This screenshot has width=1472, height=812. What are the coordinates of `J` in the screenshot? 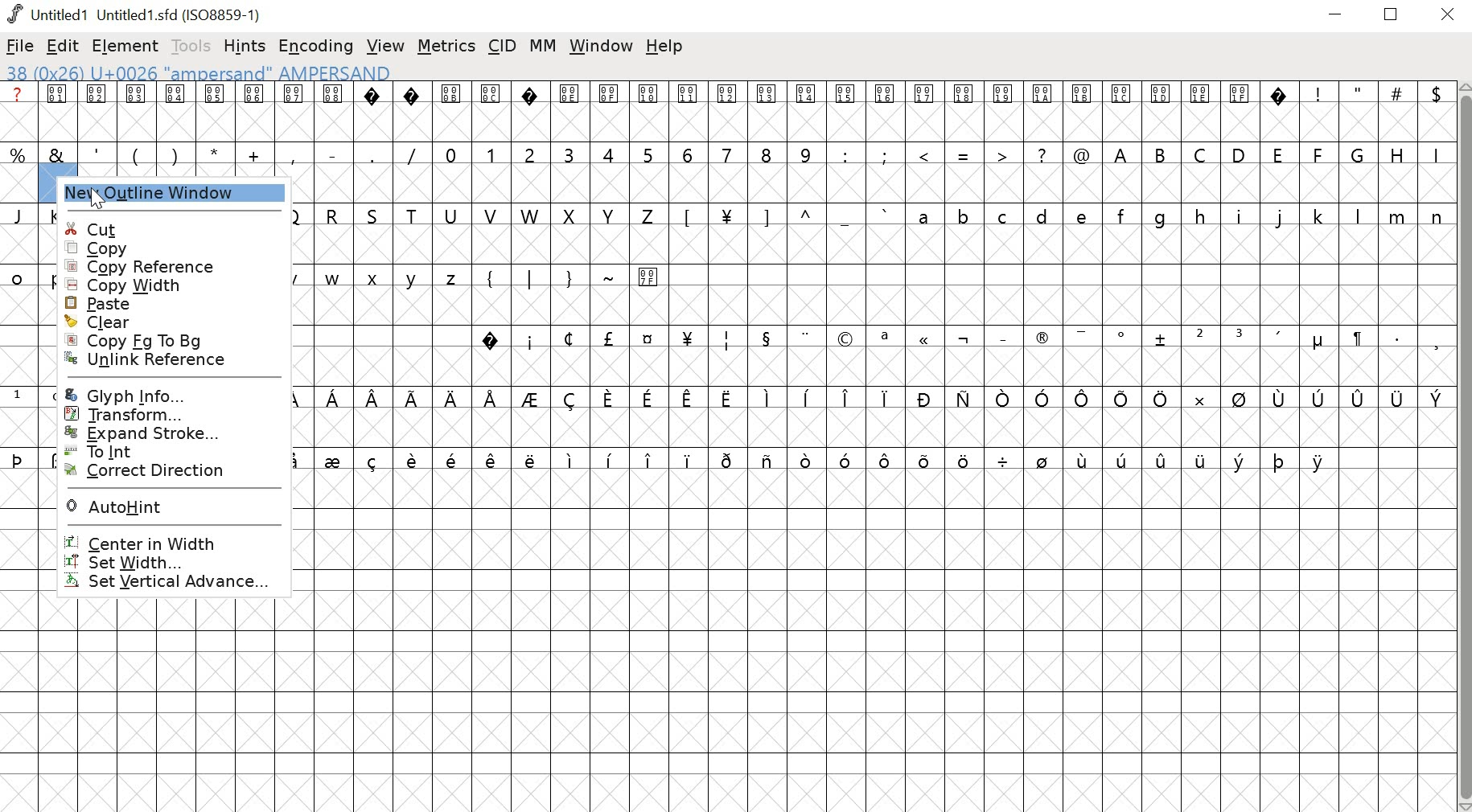 It's located at (19, 215).